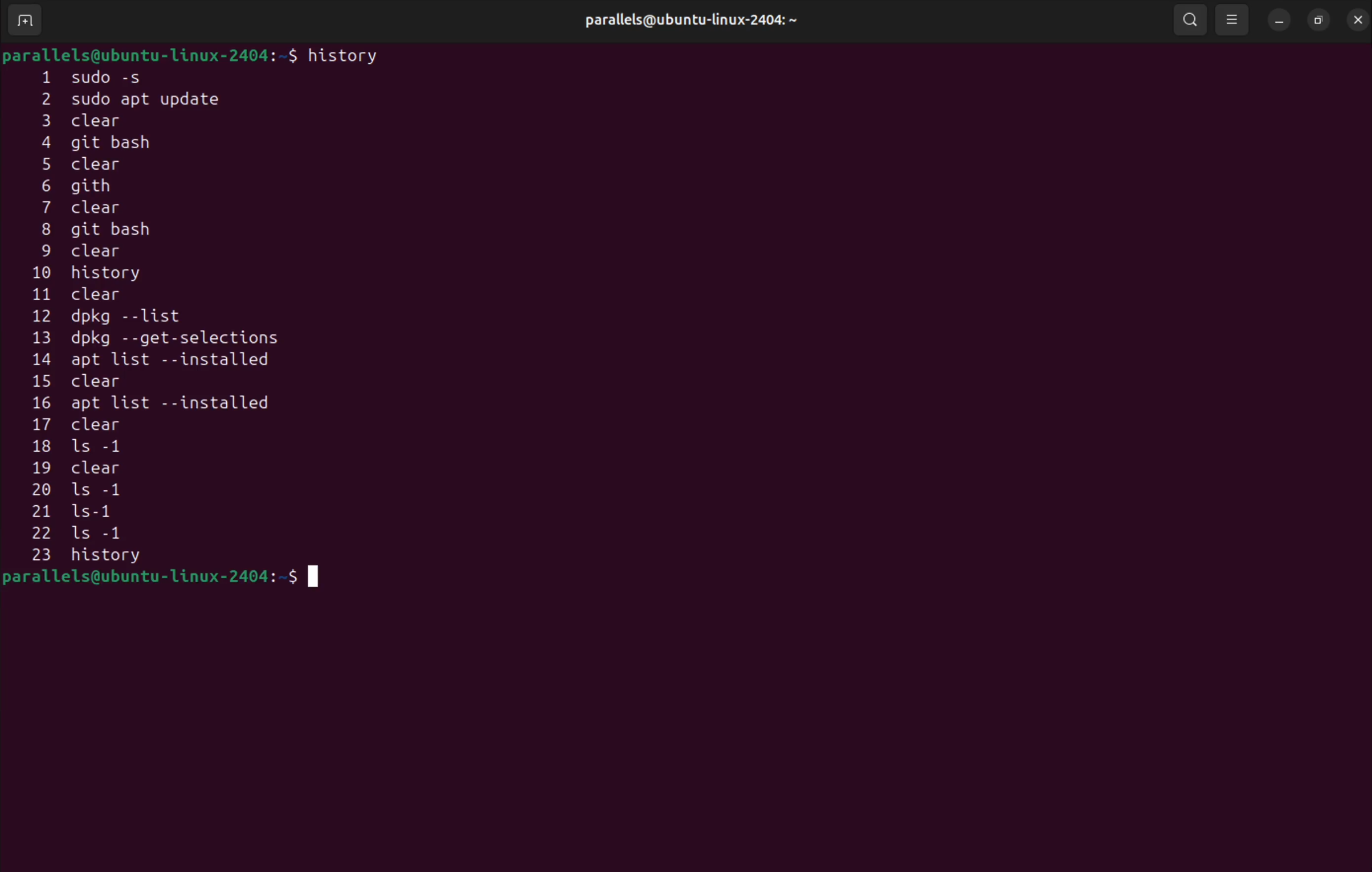 This screenshot has width=1372, height=872. Describe the element at coordinates (125, 231) in the screenshot. I see `8 git bash` at that location.